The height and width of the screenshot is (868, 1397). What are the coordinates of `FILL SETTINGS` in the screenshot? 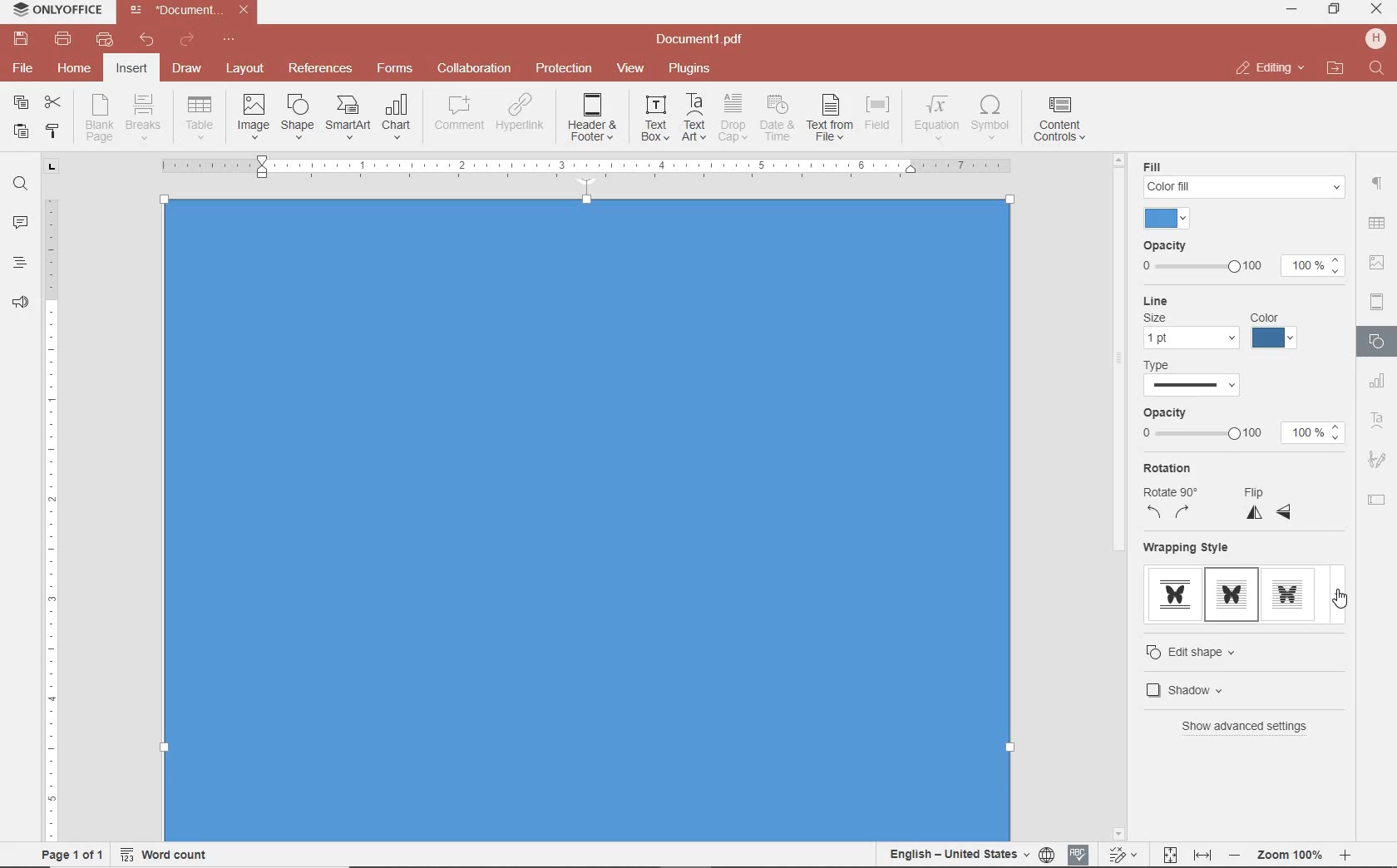 It's located at (1238, 192).